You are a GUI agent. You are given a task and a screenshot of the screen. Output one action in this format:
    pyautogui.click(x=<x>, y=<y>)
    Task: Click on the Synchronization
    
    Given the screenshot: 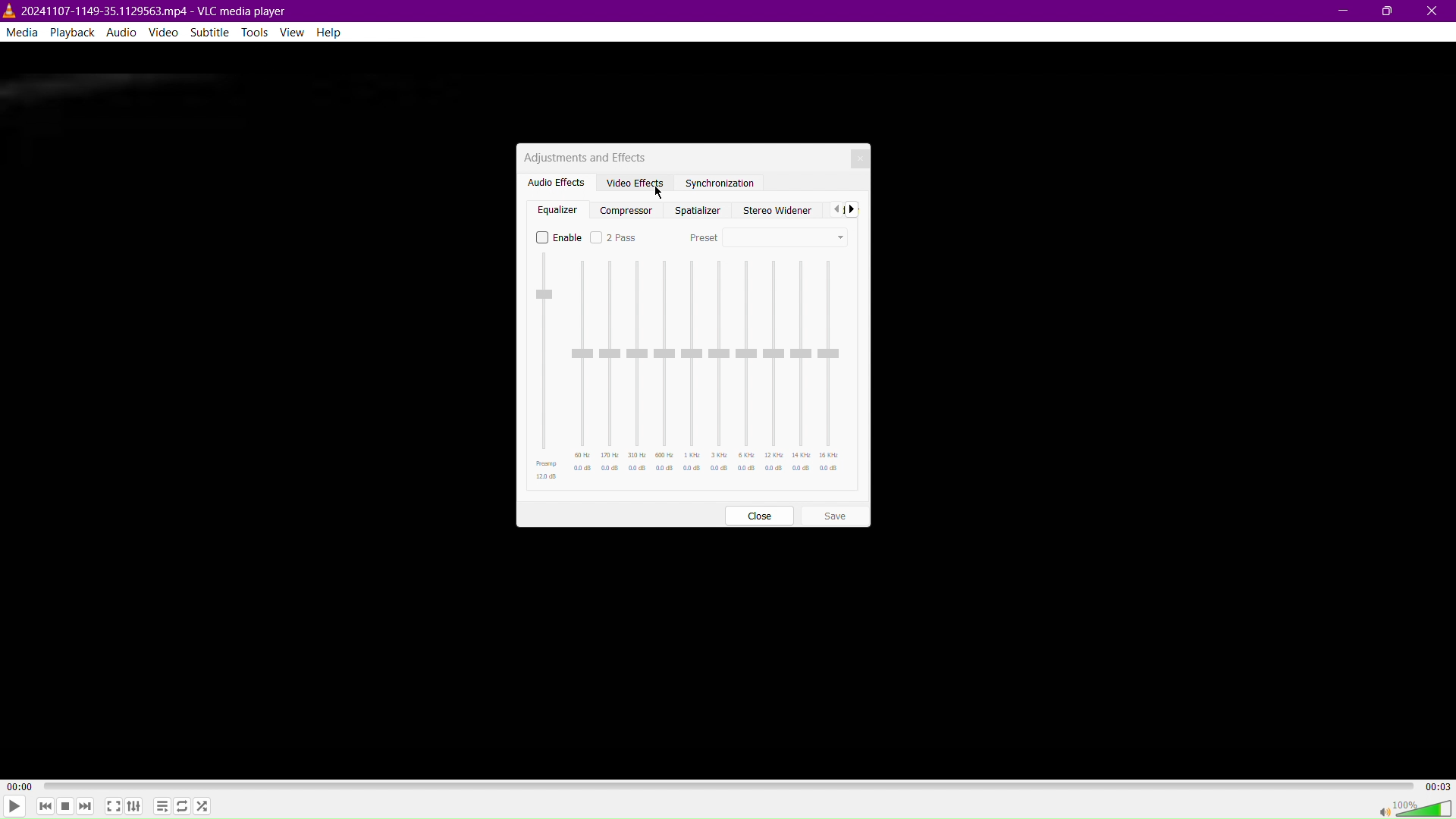 What is the action you would take?
    pyautogui.click(x=720, y=184)
    